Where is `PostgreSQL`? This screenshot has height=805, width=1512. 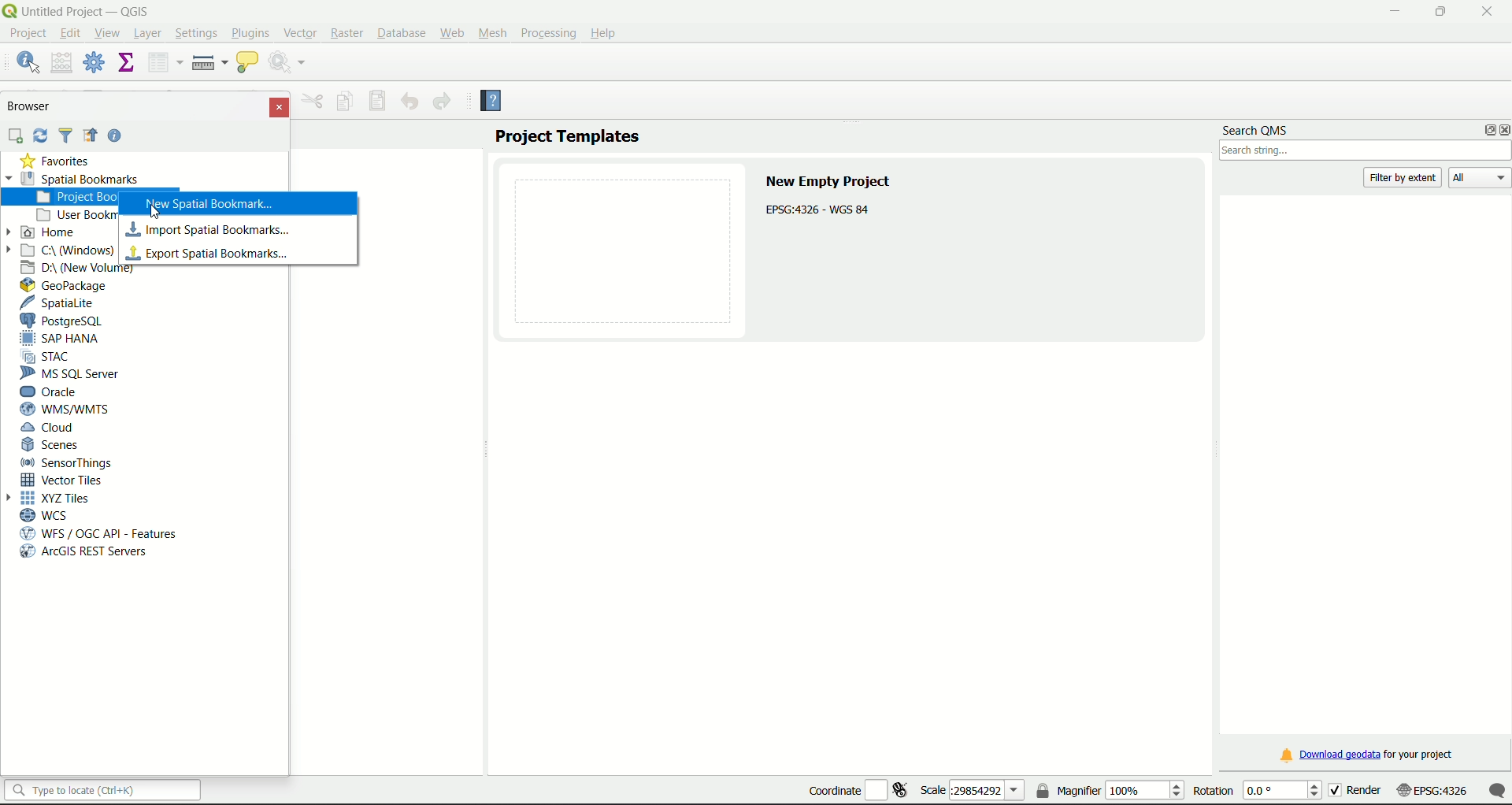
PostgreSQL is located at coordinates (72, 321).